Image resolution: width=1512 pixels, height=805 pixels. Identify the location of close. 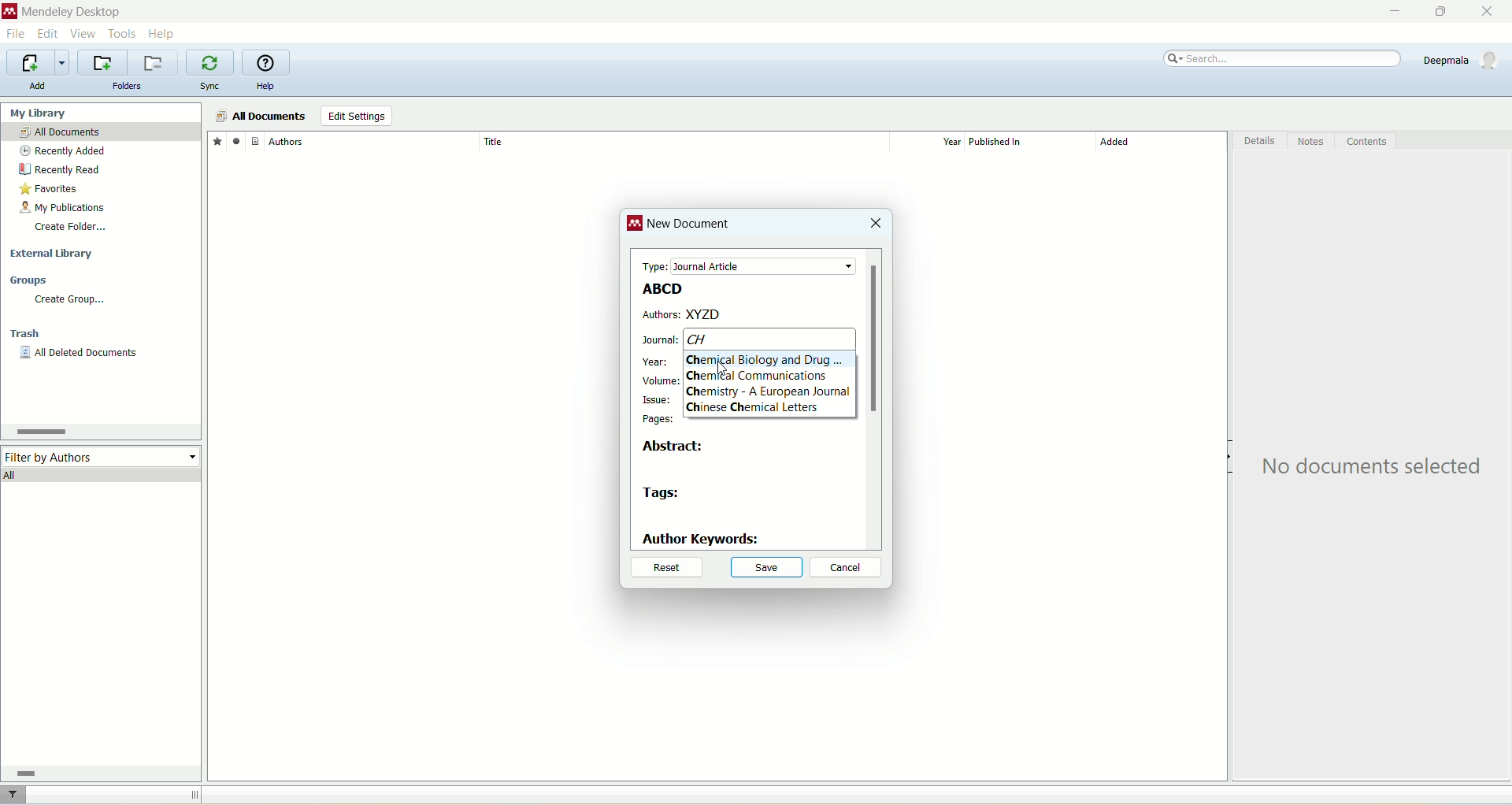
(1494, 12).